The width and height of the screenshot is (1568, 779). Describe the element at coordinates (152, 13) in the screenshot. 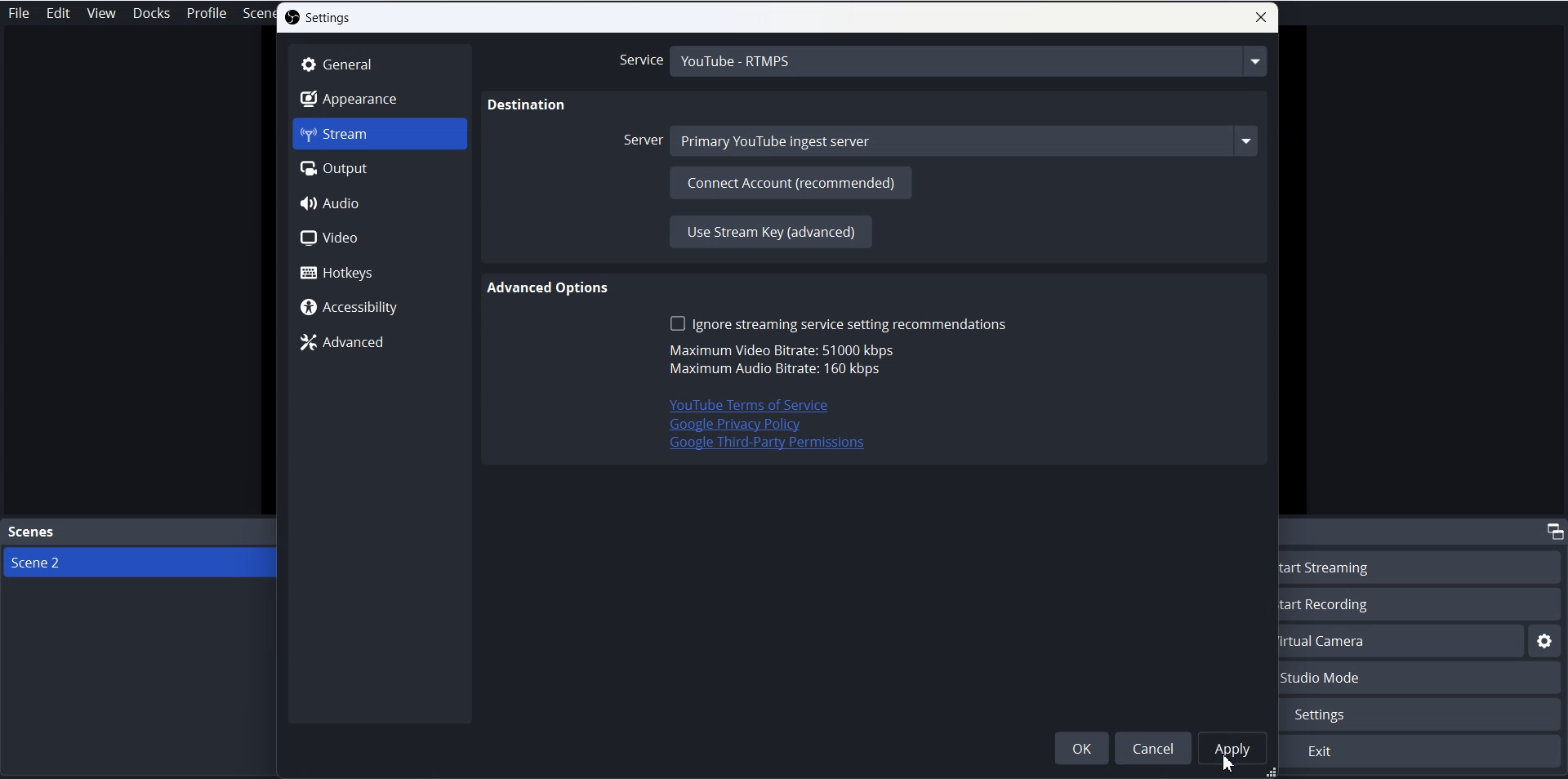

I see `Decks` at that location.